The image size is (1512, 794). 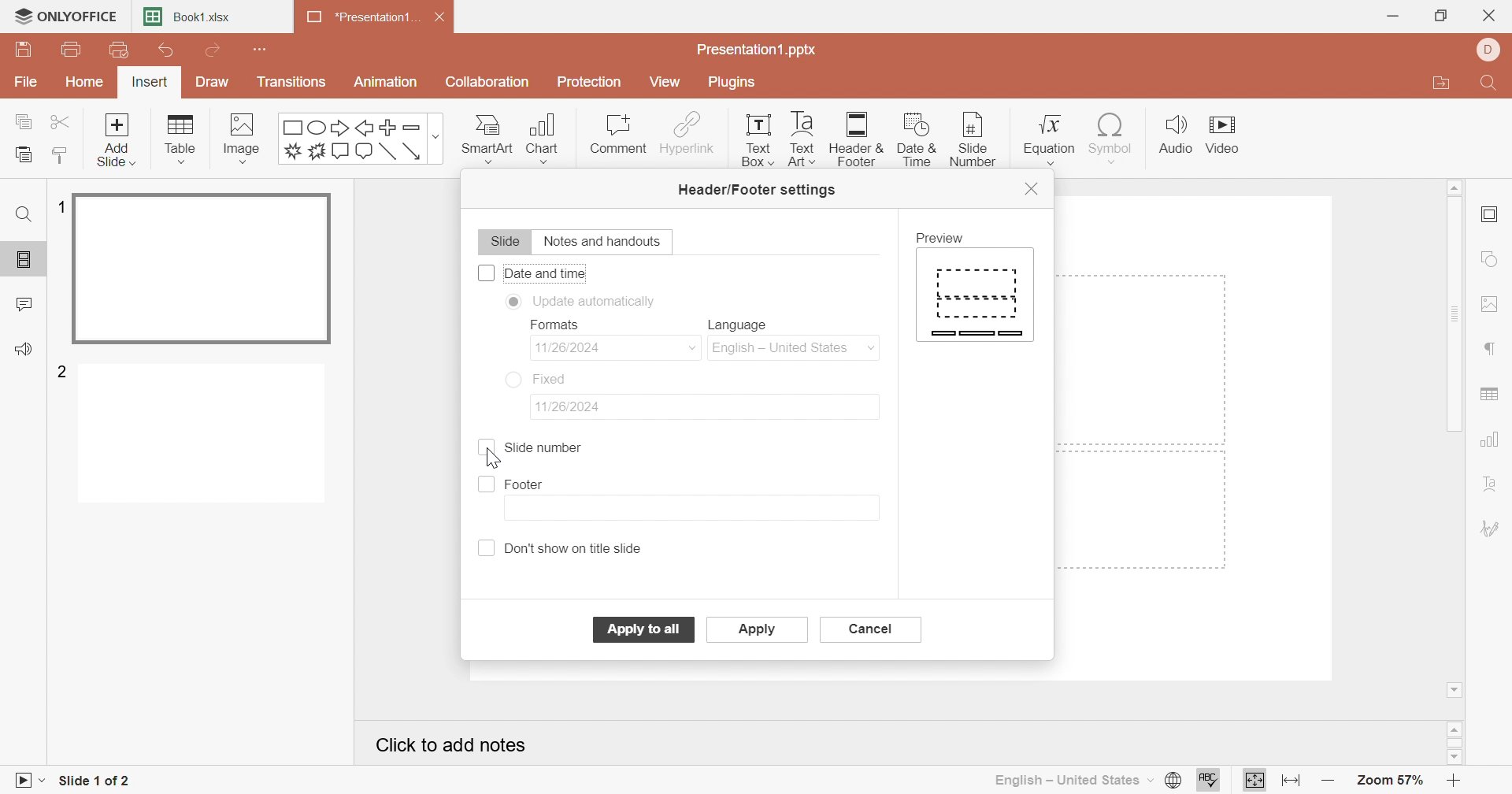 What do you see at coordinates (1492, 350) in the screenshot?
I see `Paragraph settings` at bounding box center [1492, 350].